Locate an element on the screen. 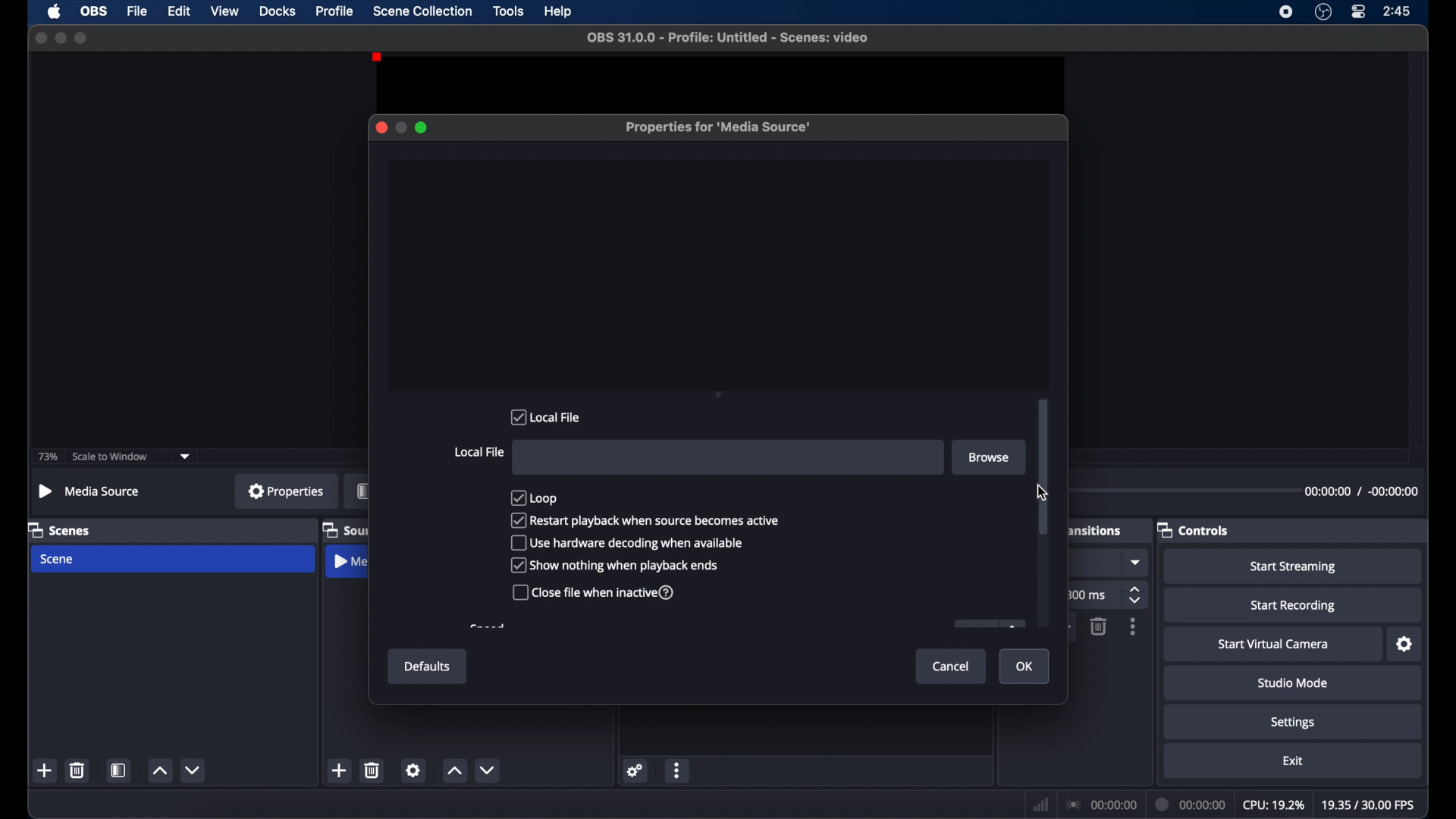 This screenshot has width=1456, height=819. time is located at coordinates (1398, 11).